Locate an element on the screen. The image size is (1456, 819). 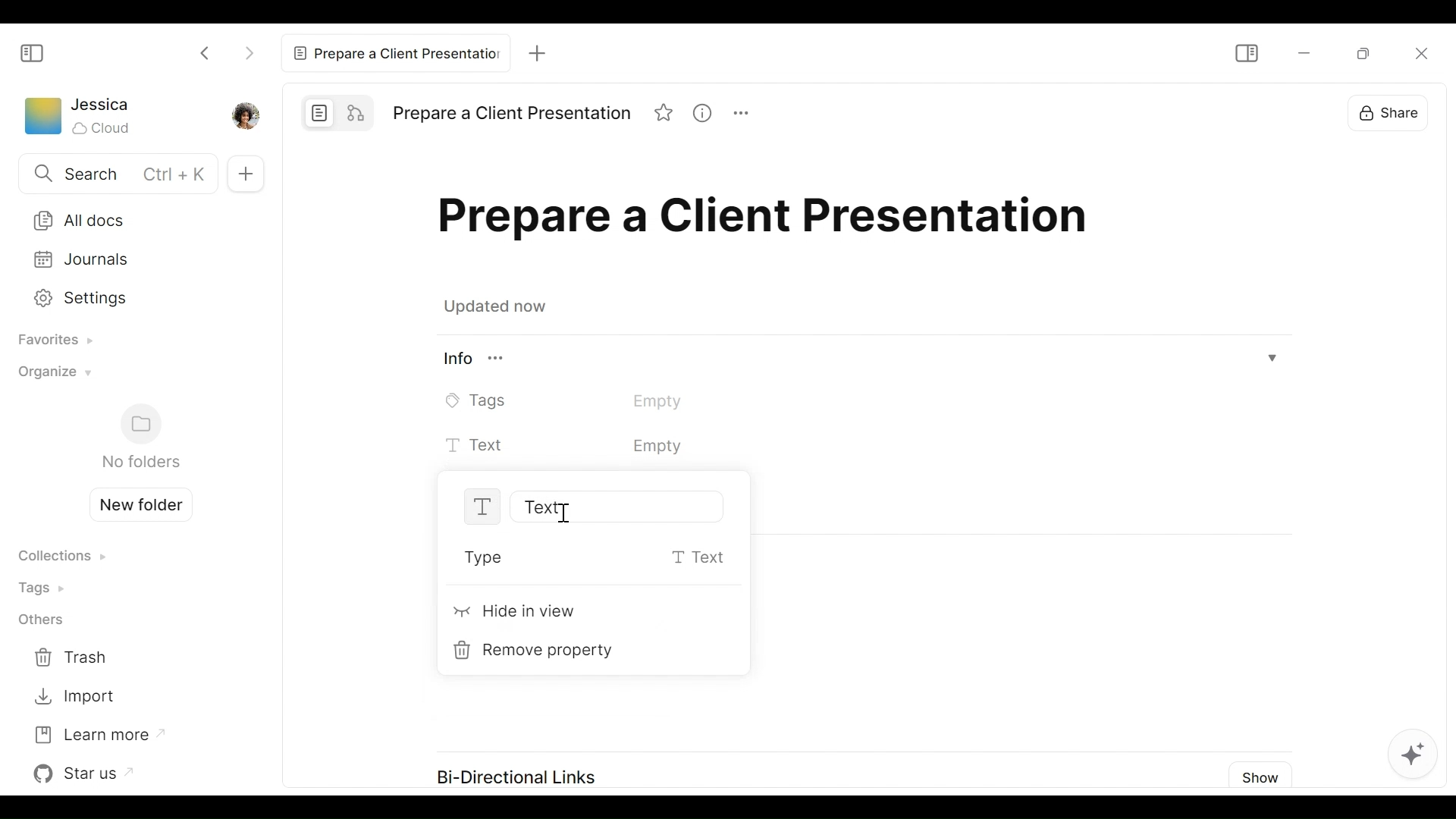
Folders is located at coordinates (140, 438).